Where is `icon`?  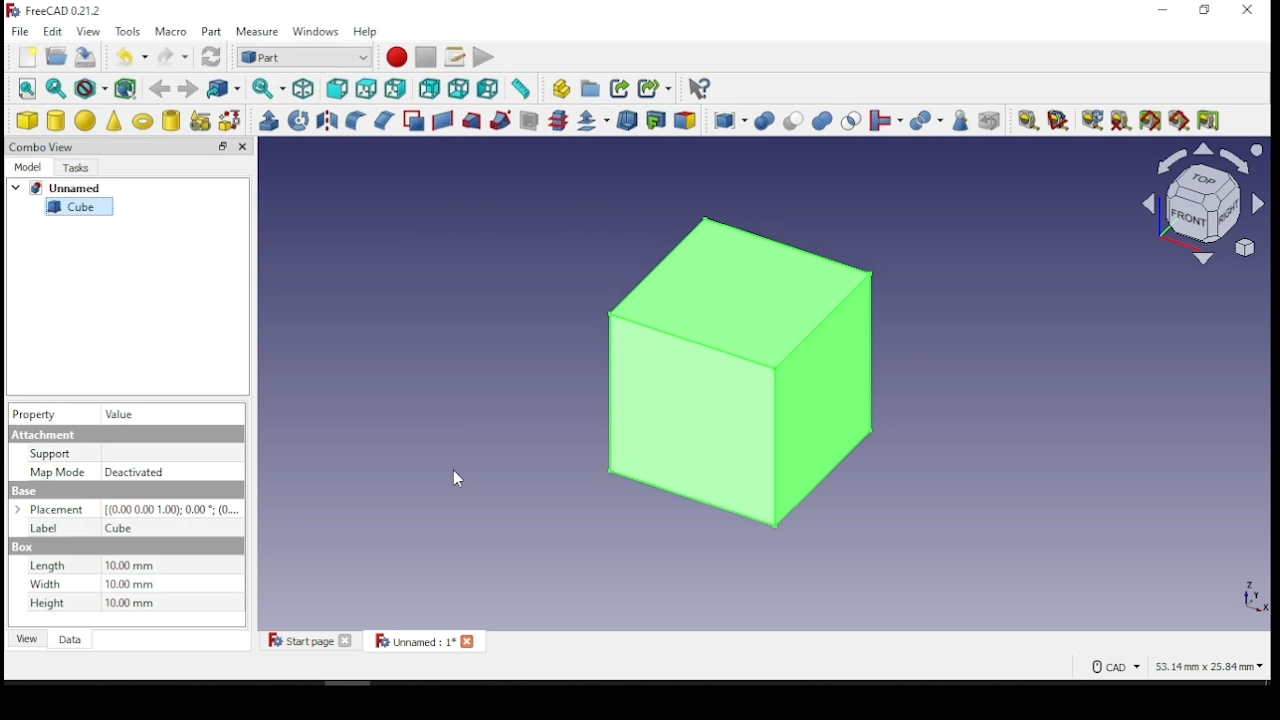 icon is located at coordinates (57, 13).